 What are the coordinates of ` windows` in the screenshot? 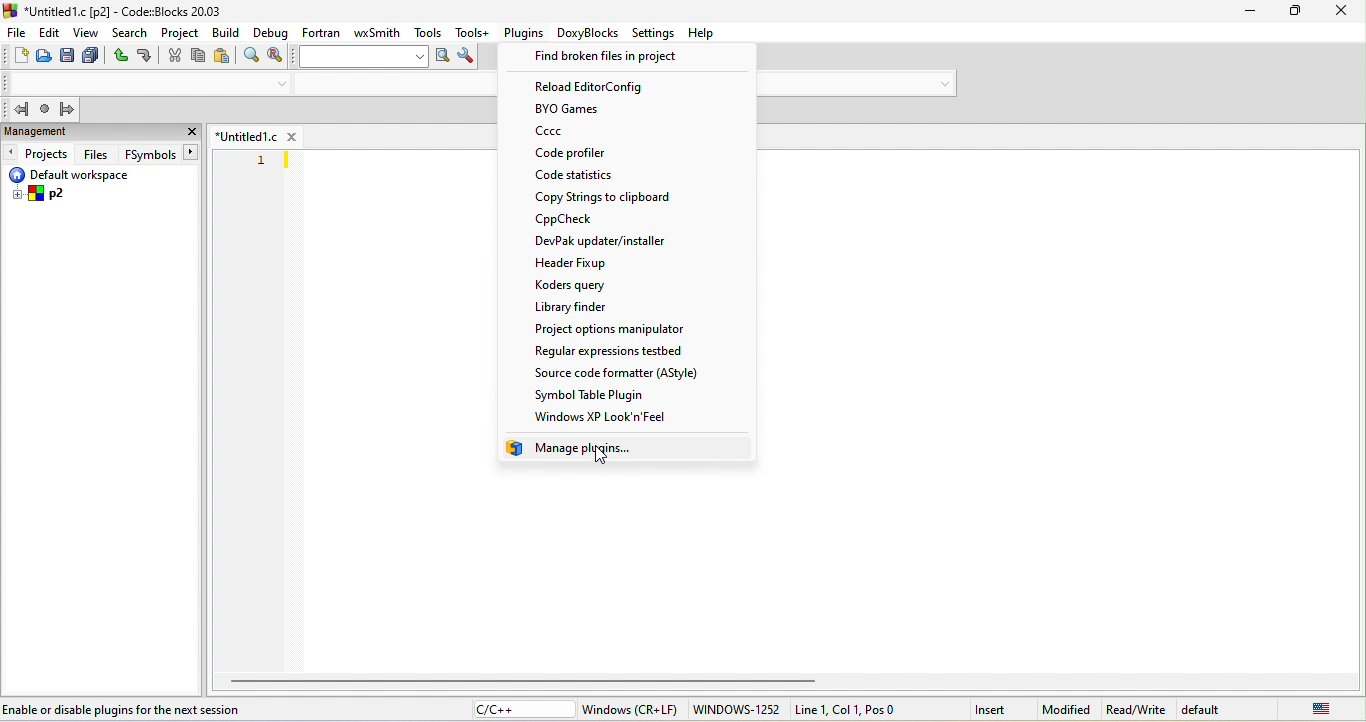 It's located at (630, 711).